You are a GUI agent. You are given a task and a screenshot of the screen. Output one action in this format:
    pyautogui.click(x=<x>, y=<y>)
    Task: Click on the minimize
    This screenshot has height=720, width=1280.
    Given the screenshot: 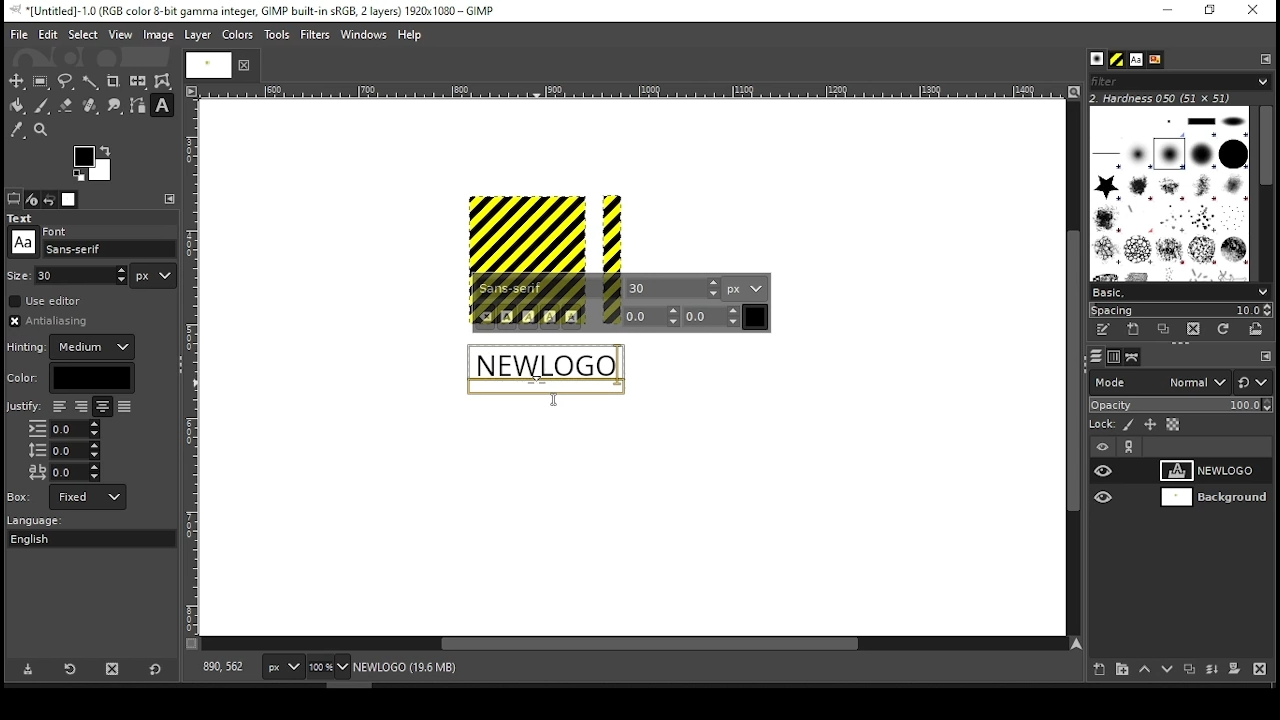 What is the action you would take?
    pyautogui.click(x=1166, y=11)
    